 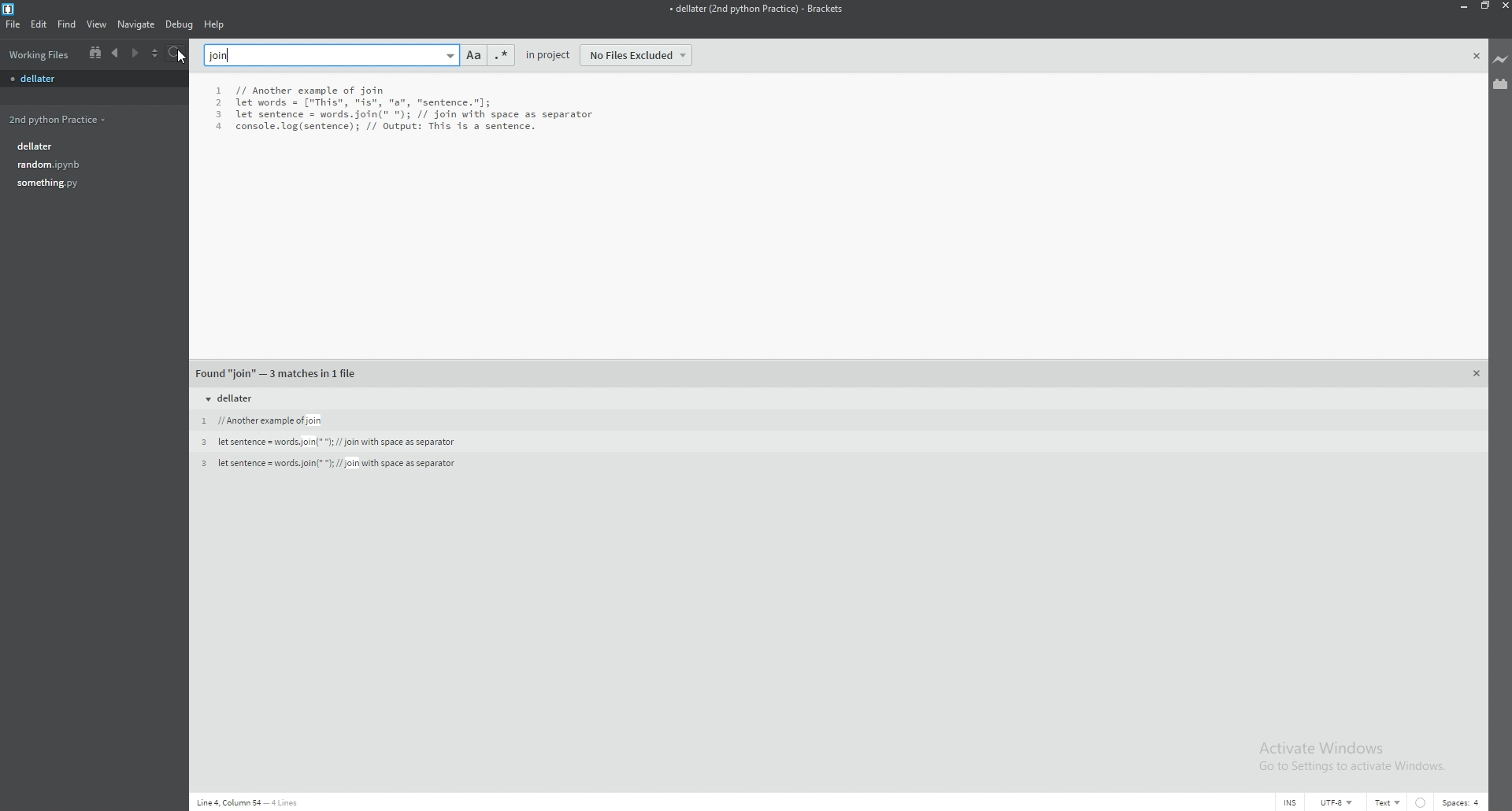 What do you see at coordinates (1503, 6) in the screenshot?
I see `close` at bounding box center [1503, 6].